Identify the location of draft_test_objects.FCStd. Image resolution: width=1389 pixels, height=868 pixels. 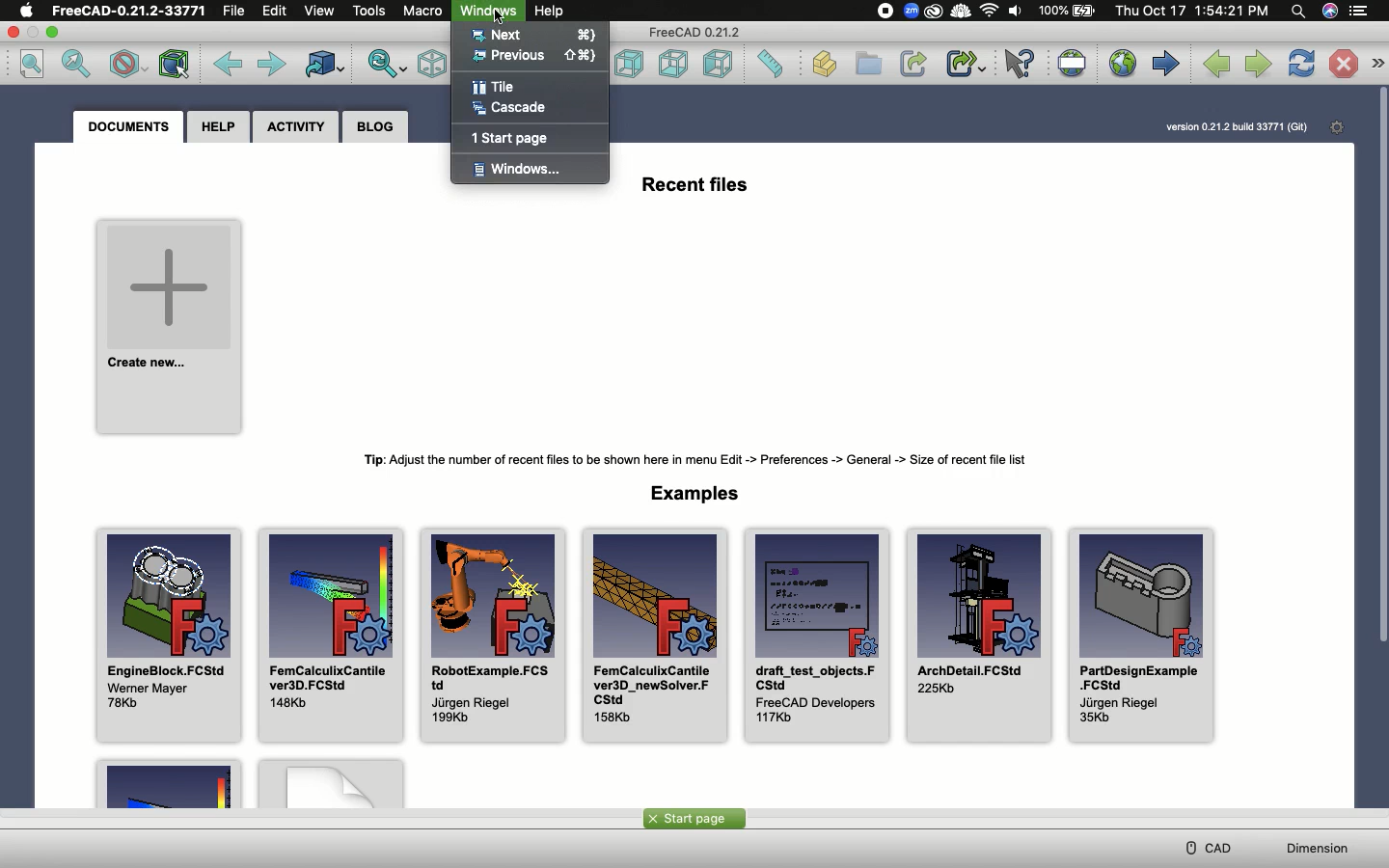
(818, 636).